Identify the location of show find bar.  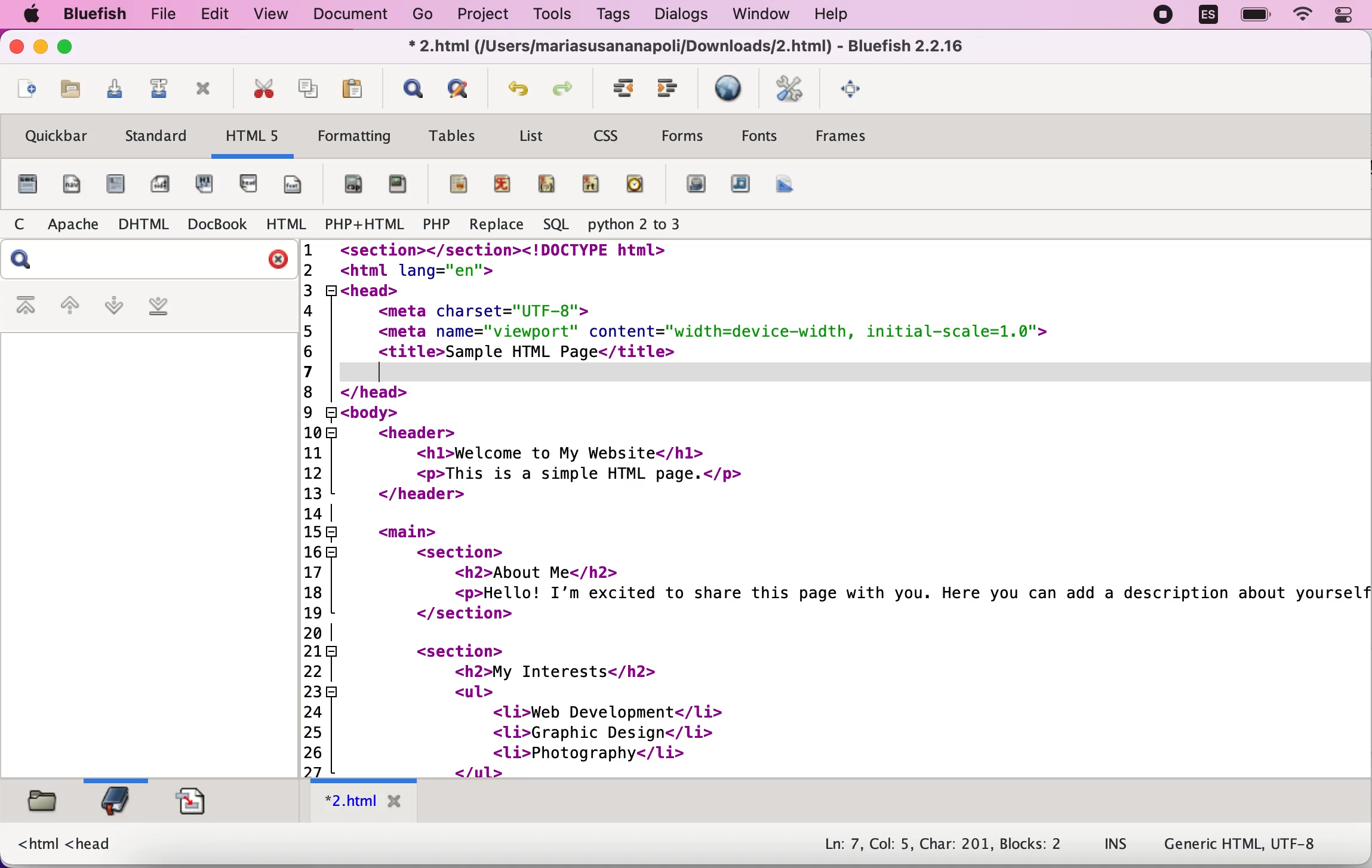
(411, 89).